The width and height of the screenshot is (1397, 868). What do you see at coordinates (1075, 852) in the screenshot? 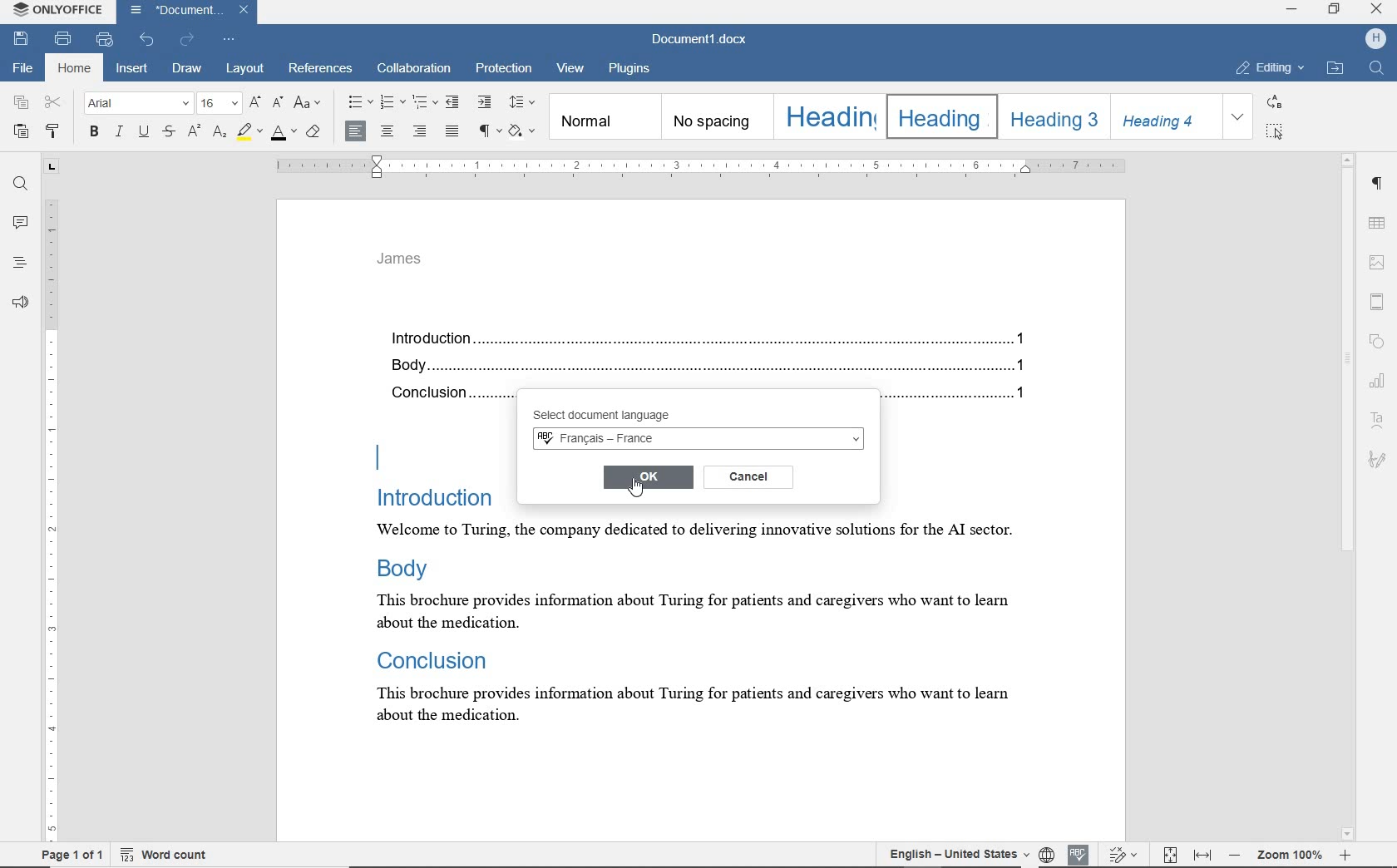
I see `spell check` at bounding box center [1075, 852].